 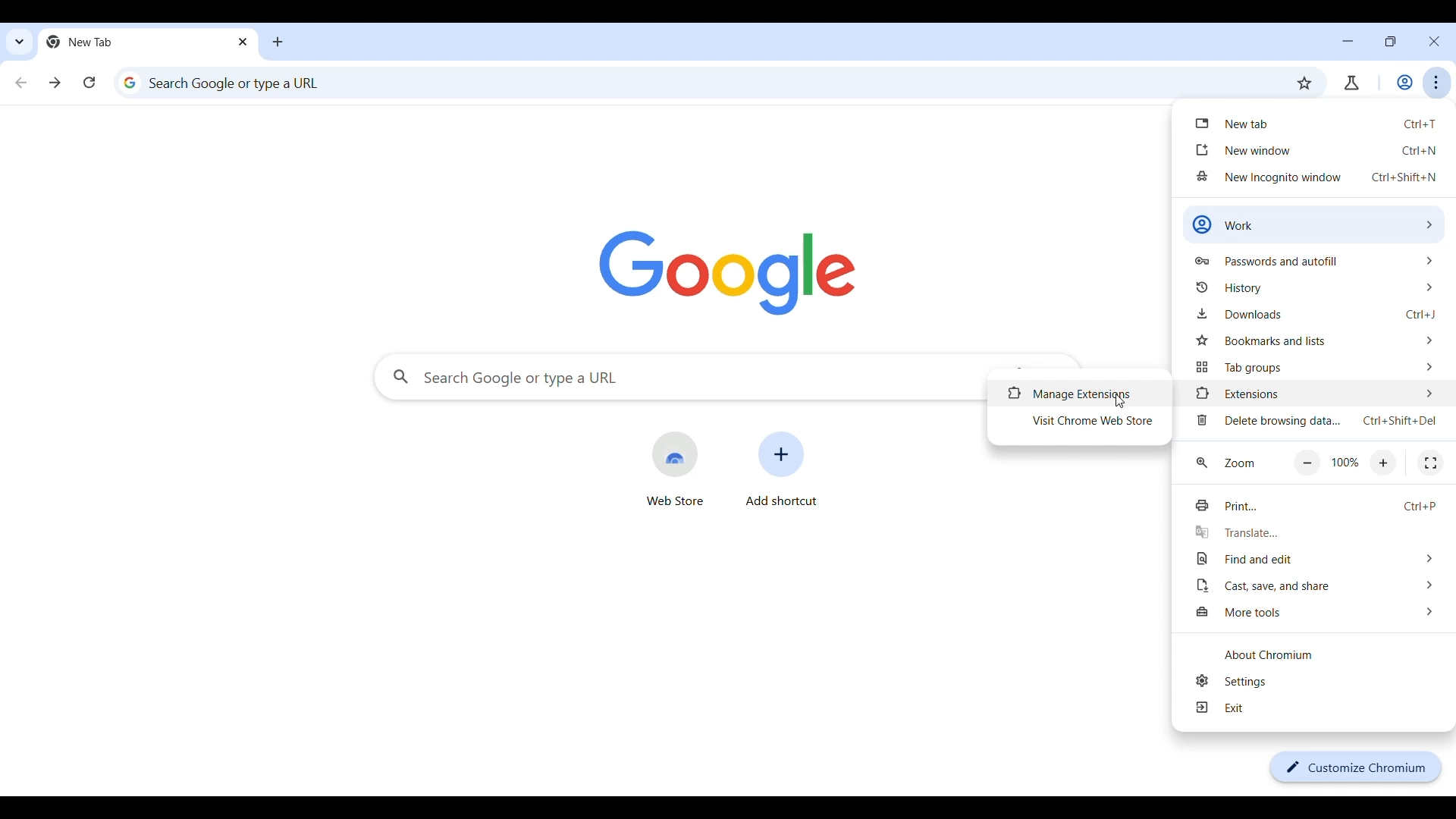 I want to click on Search Google or enter web link, so click(x=692, y=83).